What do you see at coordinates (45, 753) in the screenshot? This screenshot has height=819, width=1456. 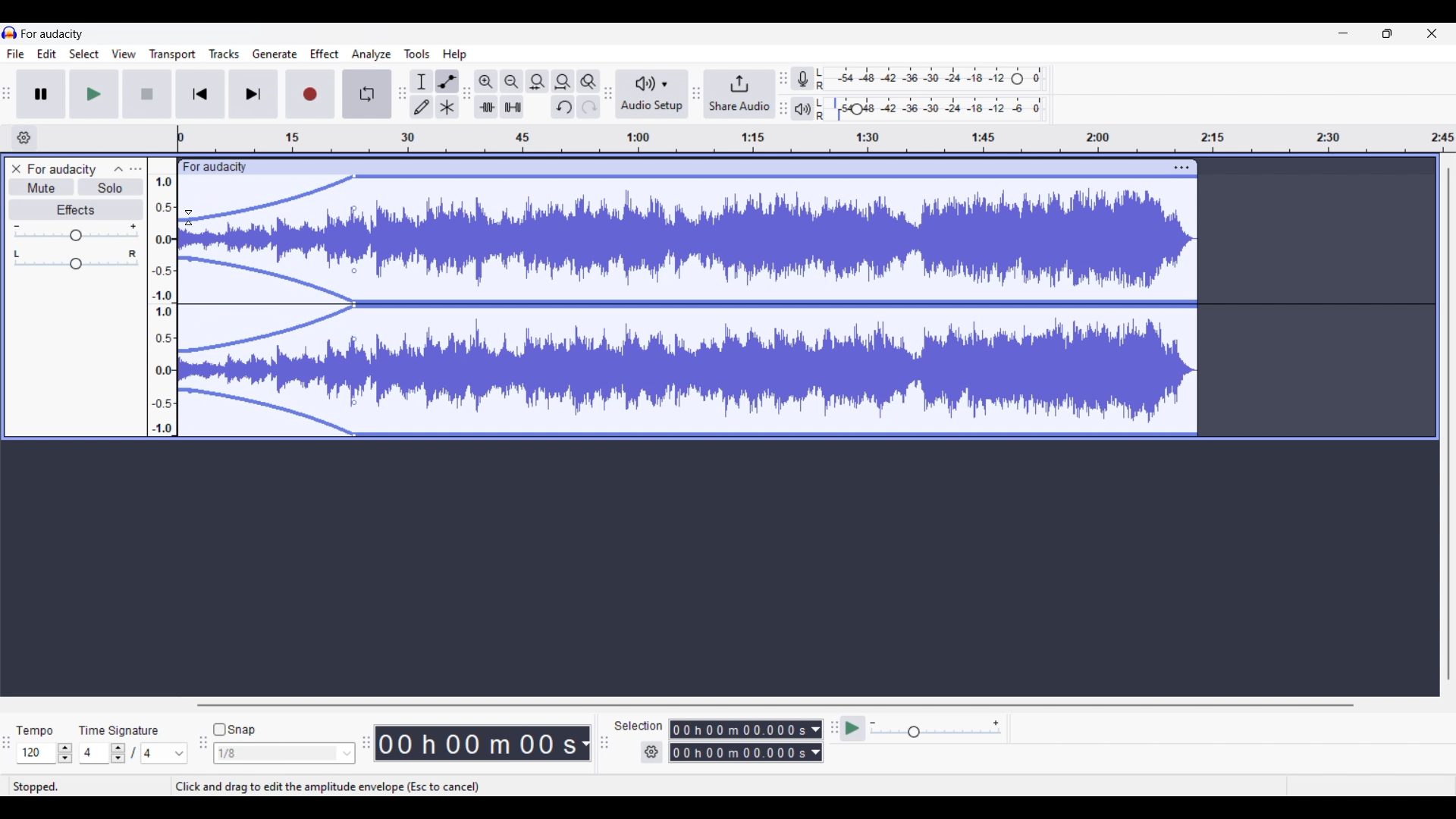 I see `Tempo settings` at bounding box center [45, 753].